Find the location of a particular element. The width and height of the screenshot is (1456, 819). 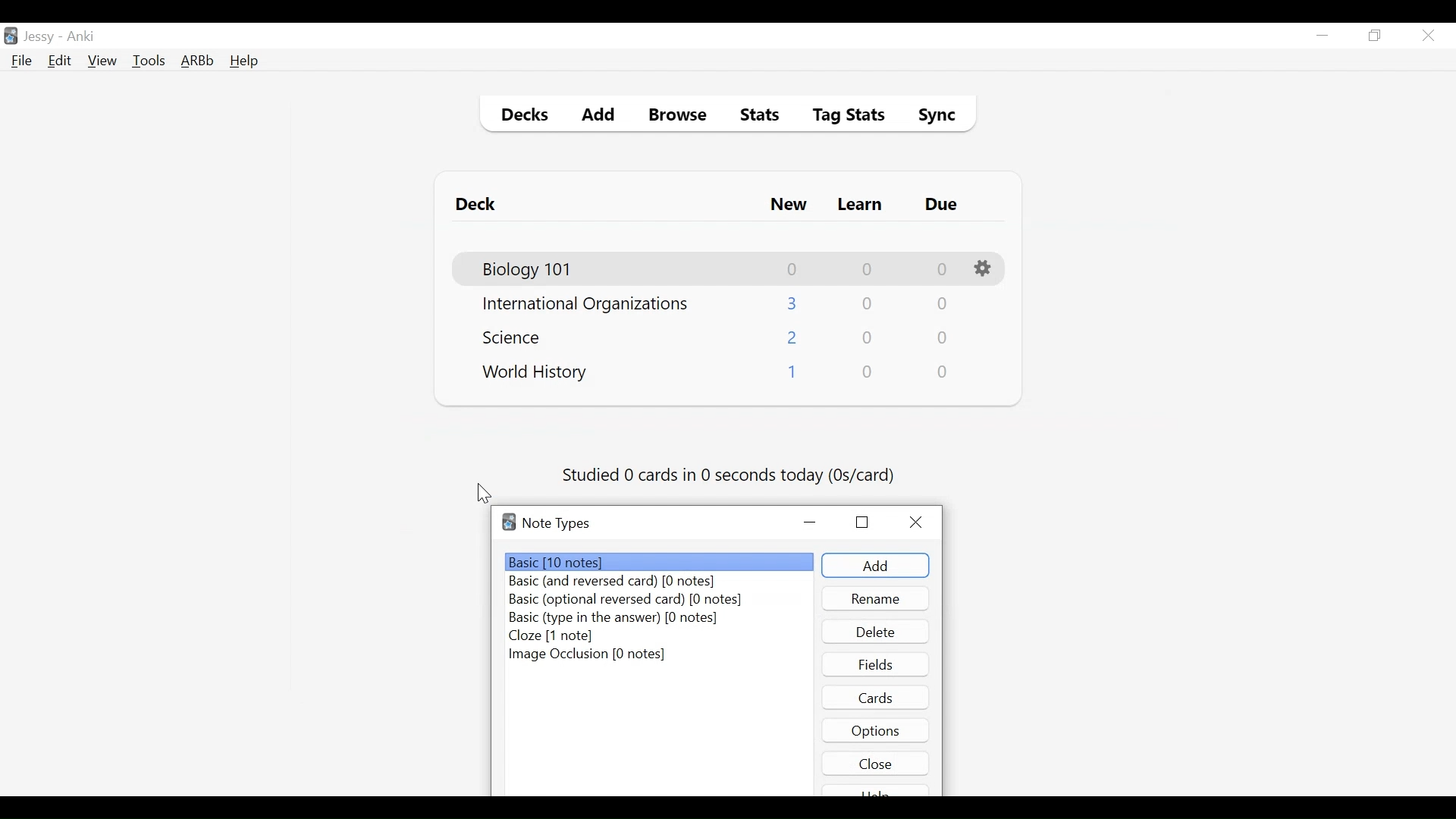

Cloze (number of notes) is located at coordinates (552, 636).